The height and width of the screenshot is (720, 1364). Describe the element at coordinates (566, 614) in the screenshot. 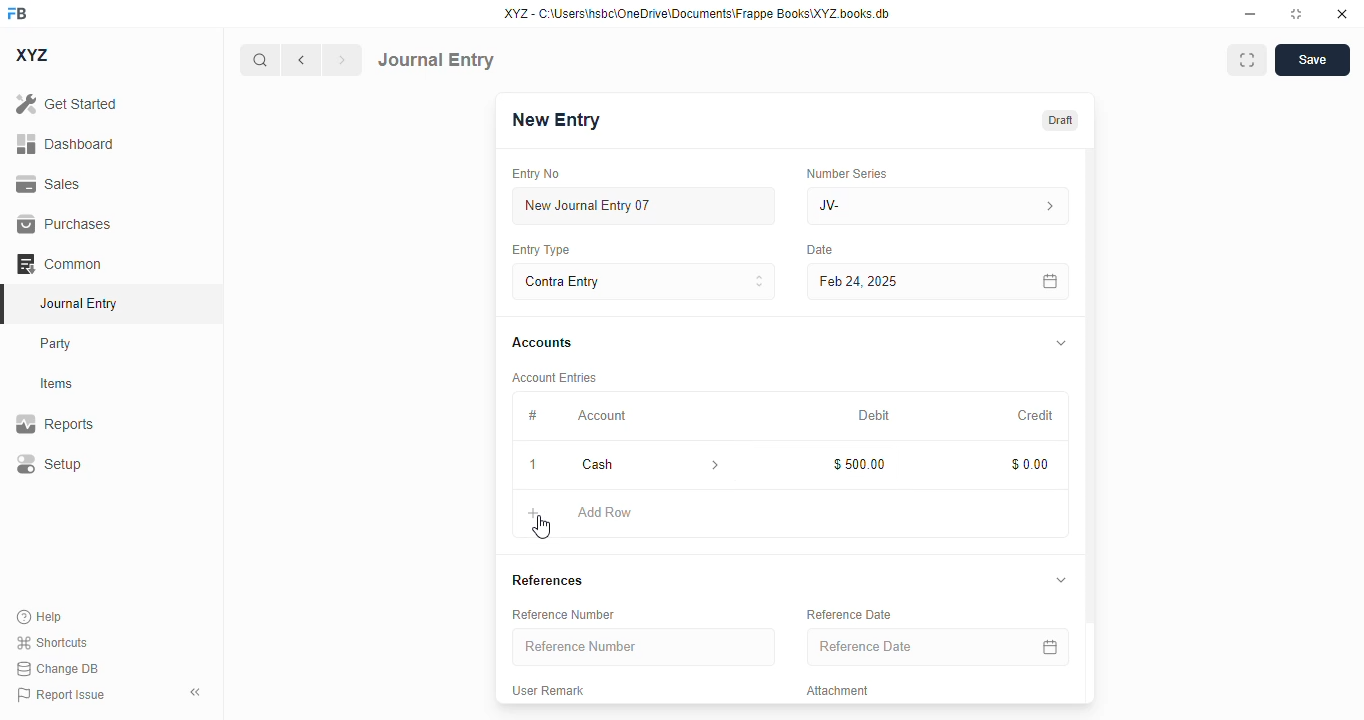

I see `reference number` at that location.